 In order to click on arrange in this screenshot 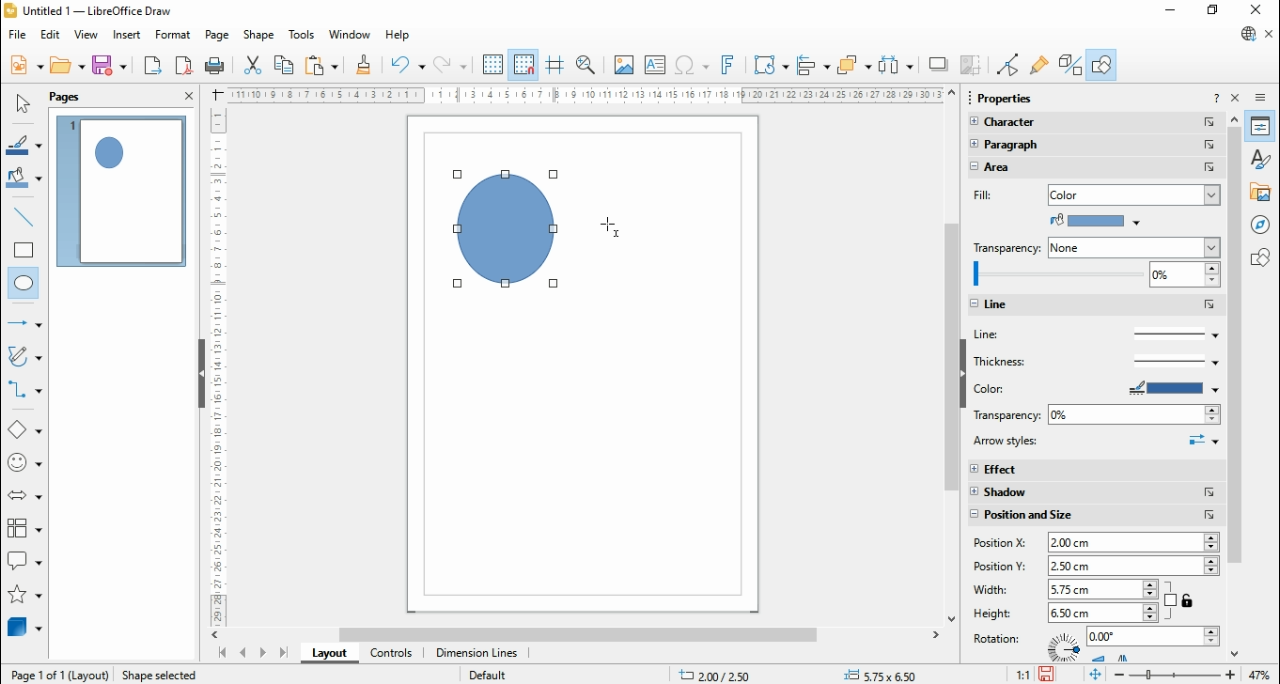, I will do `click(855, 65)`.